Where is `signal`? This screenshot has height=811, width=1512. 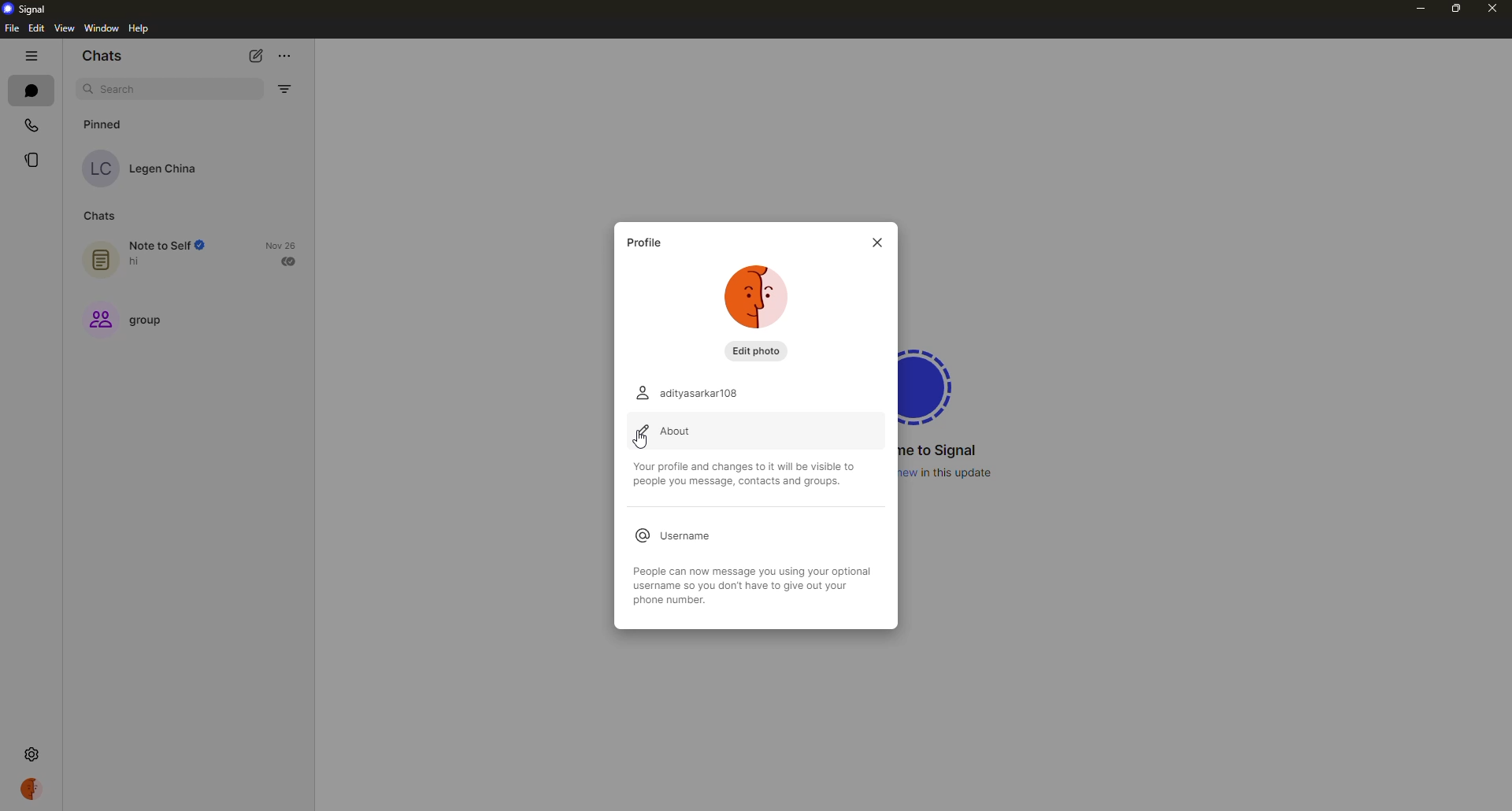
signal is located at coordinates (934, 383).